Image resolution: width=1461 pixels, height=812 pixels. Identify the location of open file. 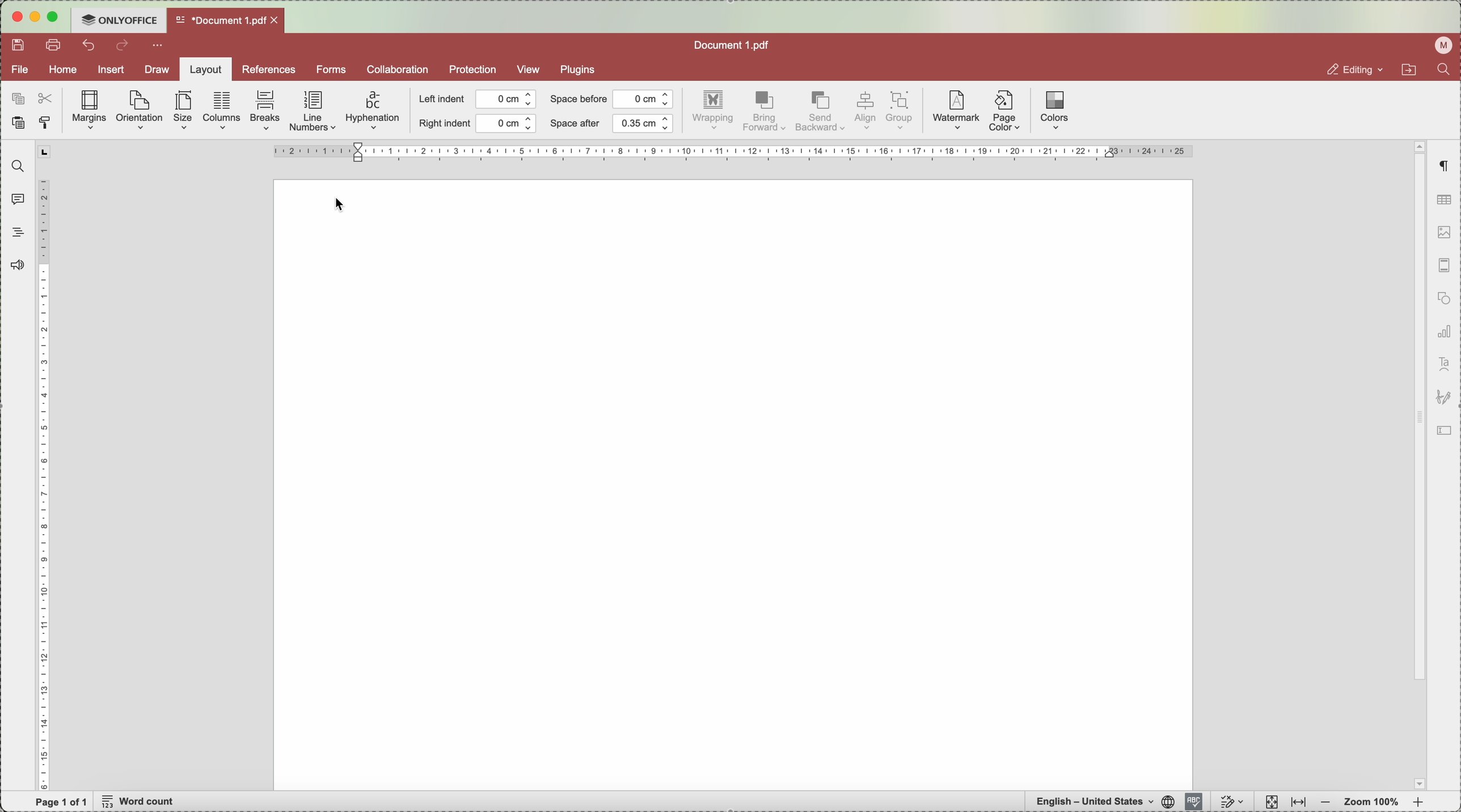
(224, 20).